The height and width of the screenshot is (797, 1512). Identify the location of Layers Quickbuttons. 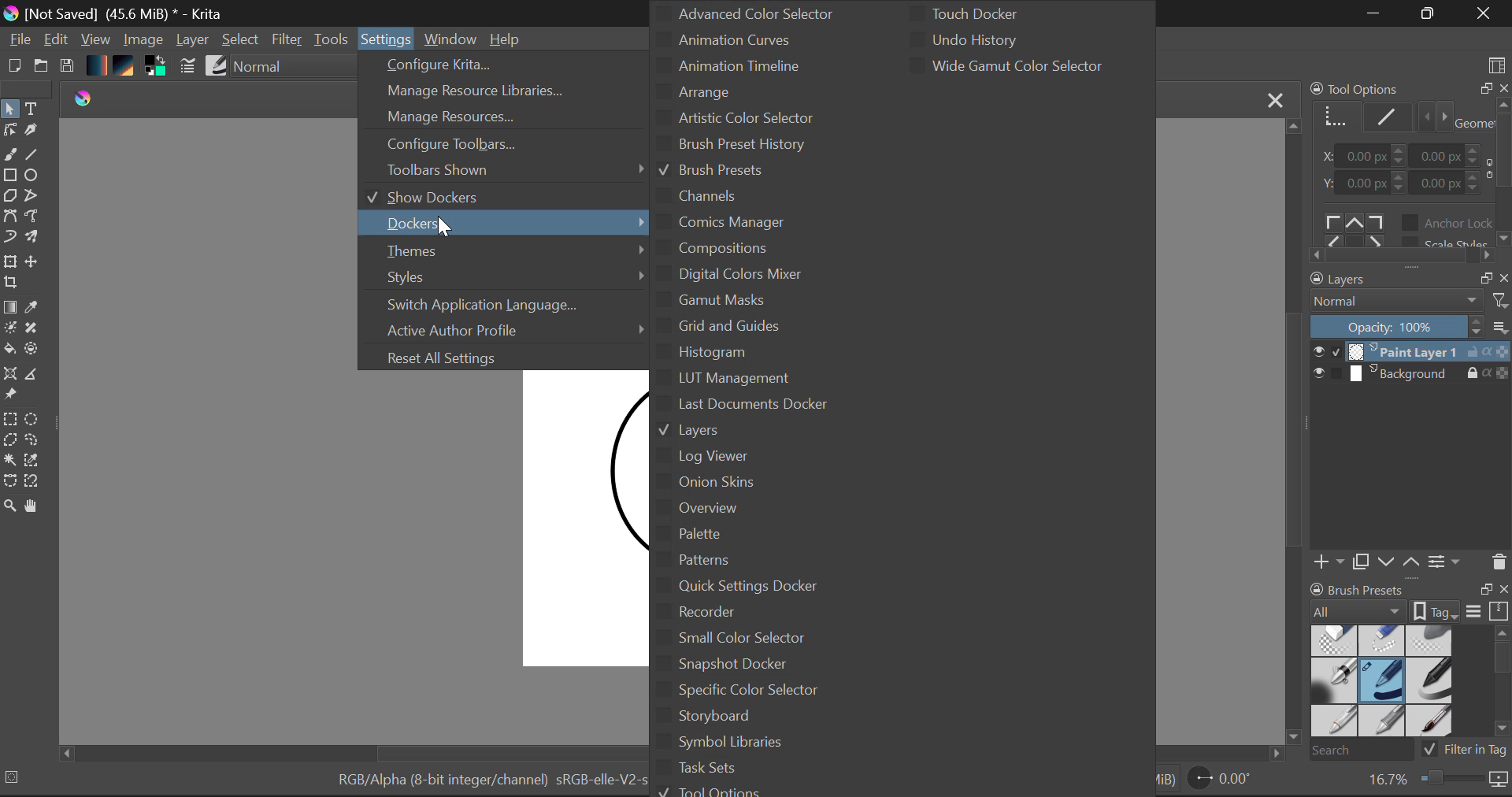
(1408, 562).